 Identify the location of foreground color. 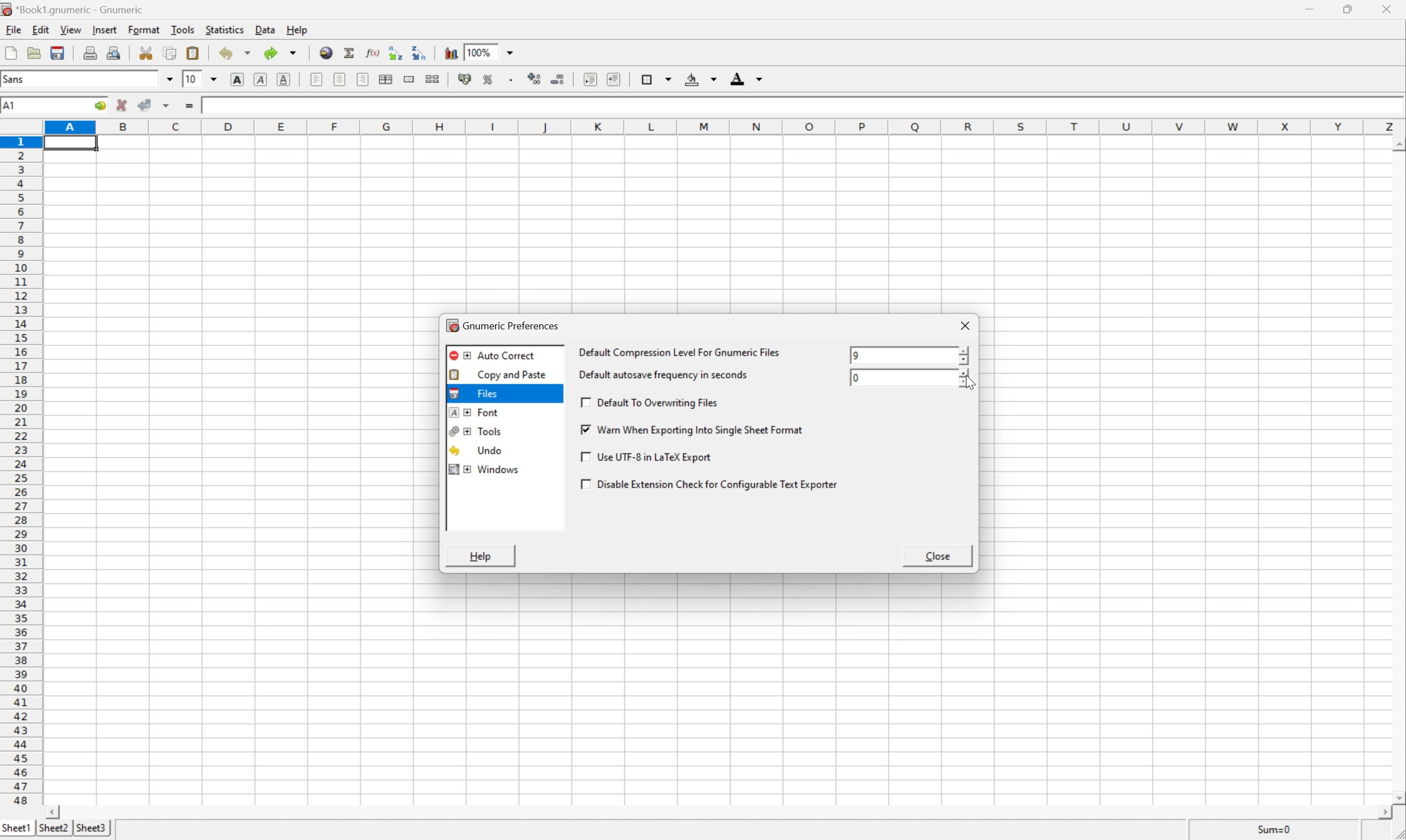
(746, 78).